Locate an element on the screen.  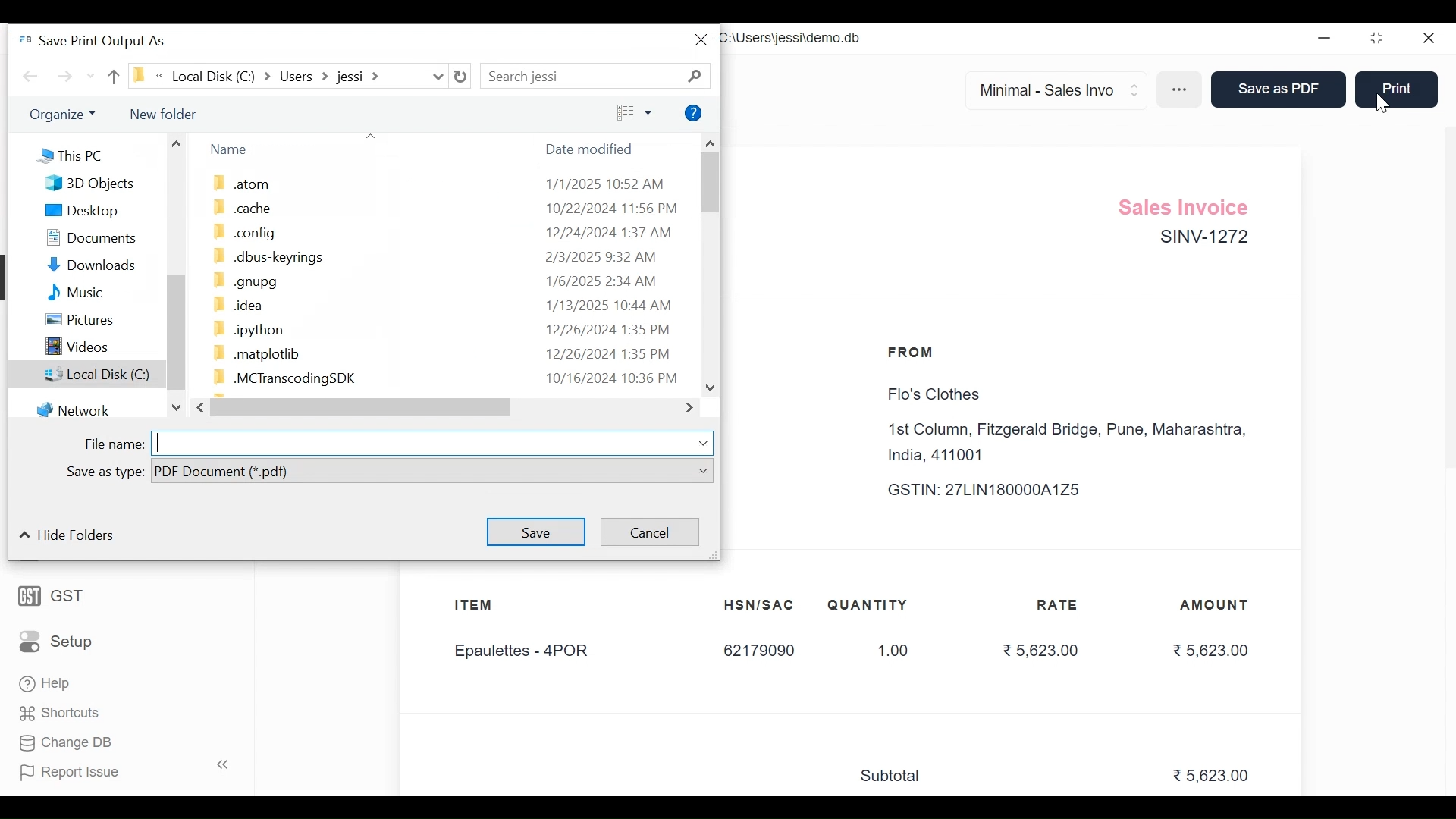
Search jessi is located at coordinates (554, 76).